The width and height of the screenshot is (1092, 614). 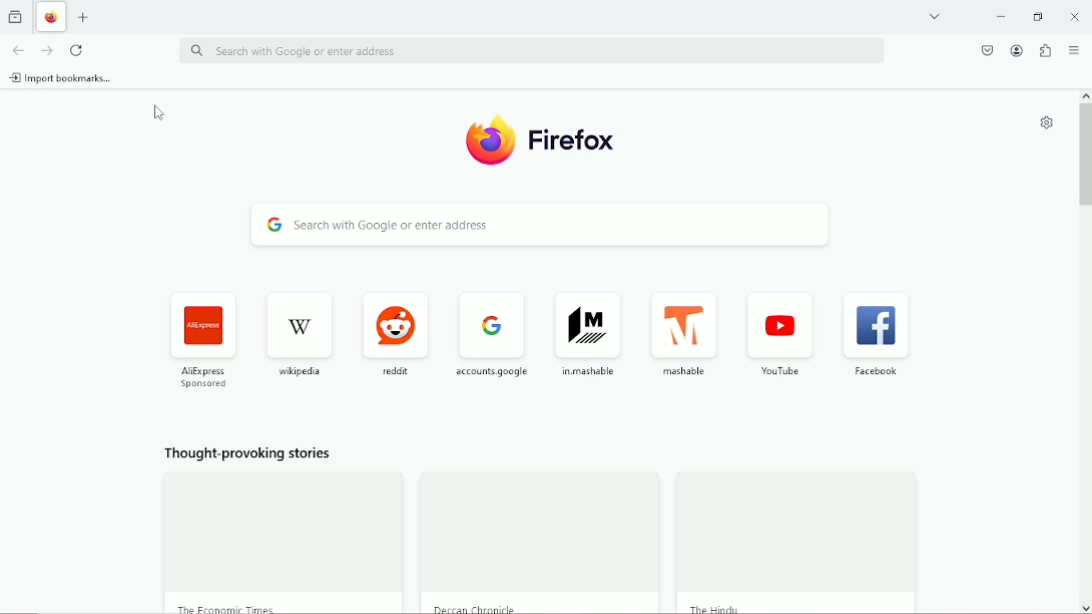 I want to click on The hindu, so click(x=722, y=607).